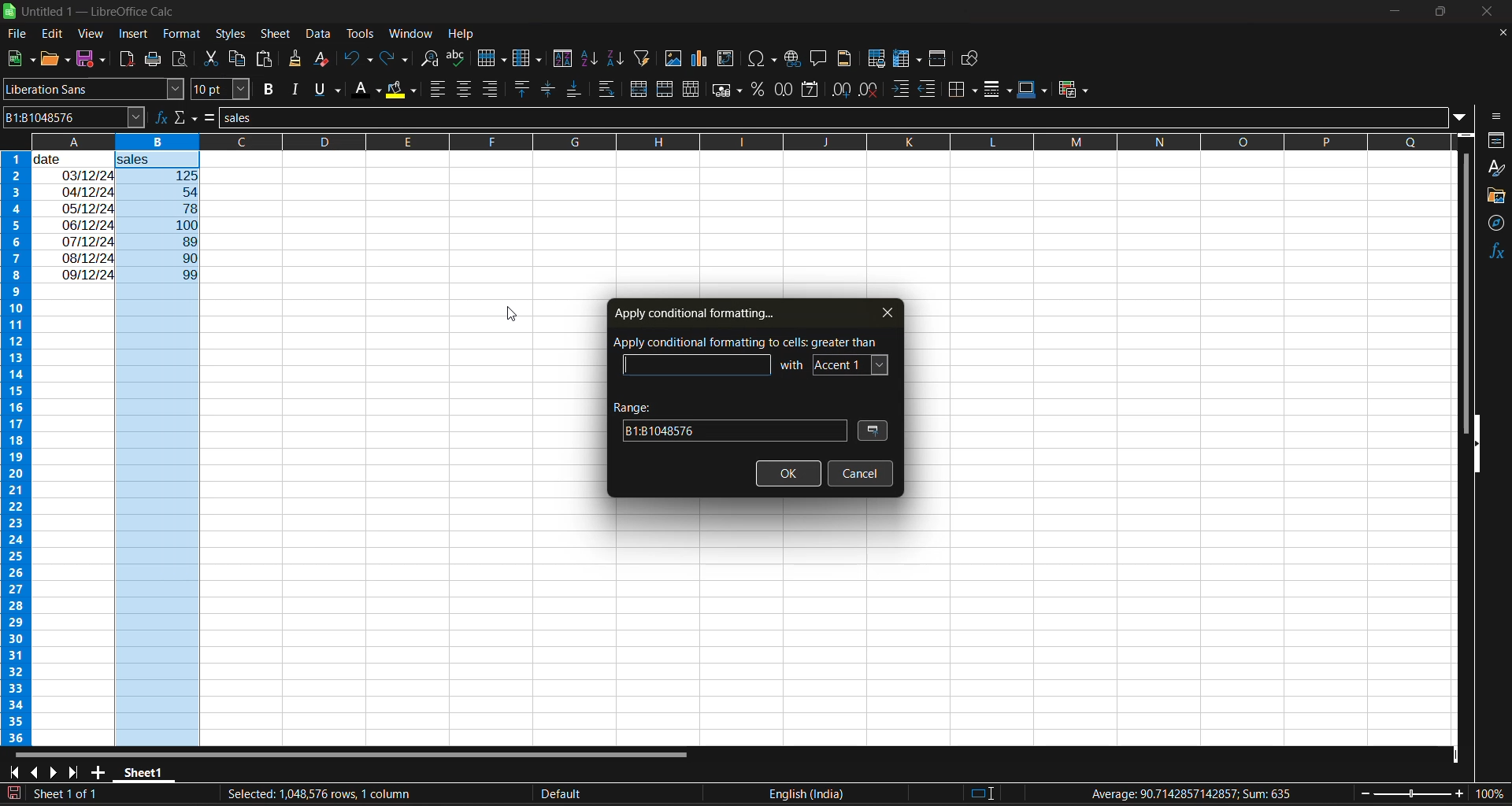  Describe the element at coordinates (464, 91) in the screenshot. I see `align center` at that location.